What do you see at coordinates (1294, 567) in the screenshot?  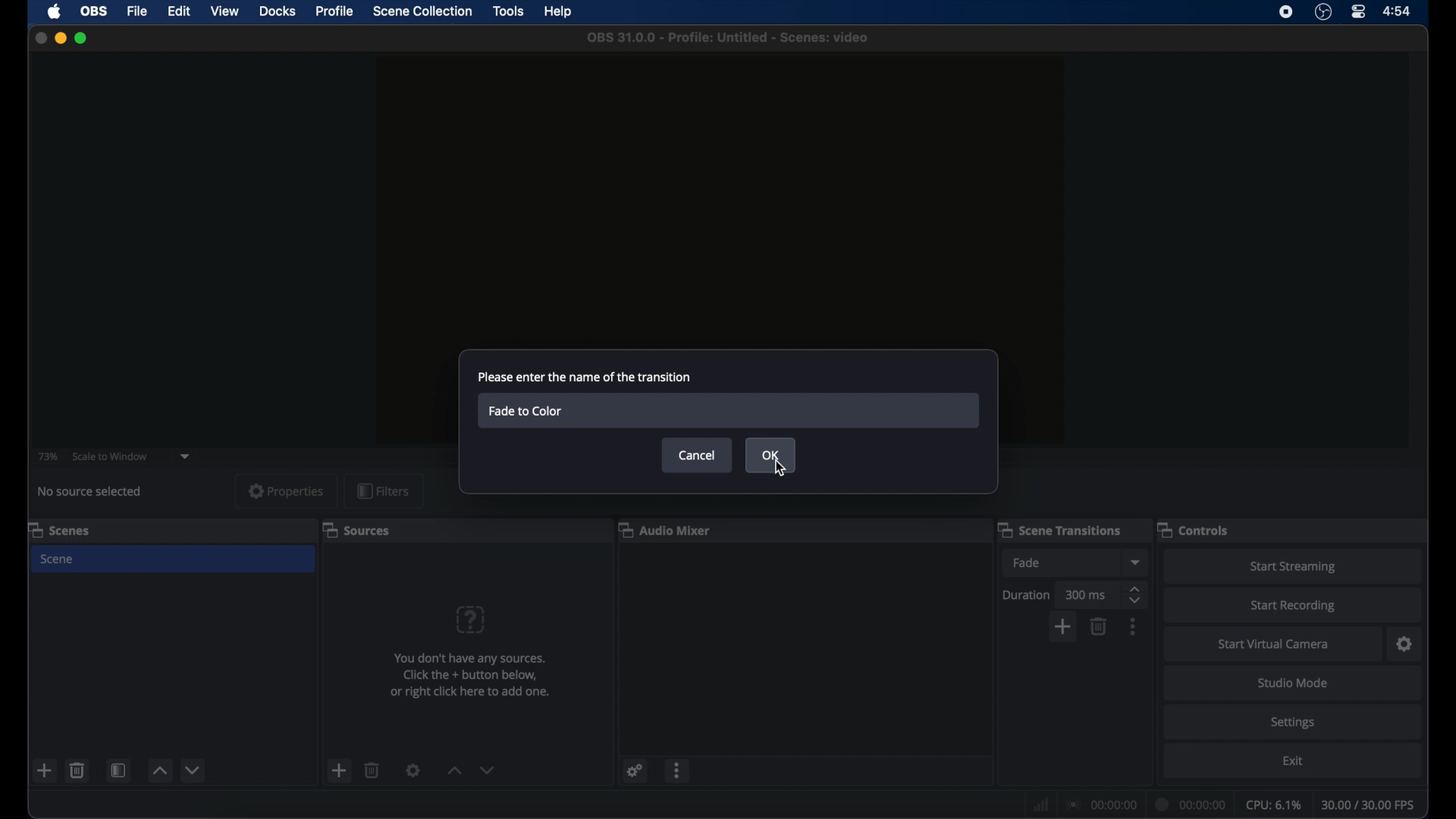 I see `start streaming` at bounding box center [1294, 567].